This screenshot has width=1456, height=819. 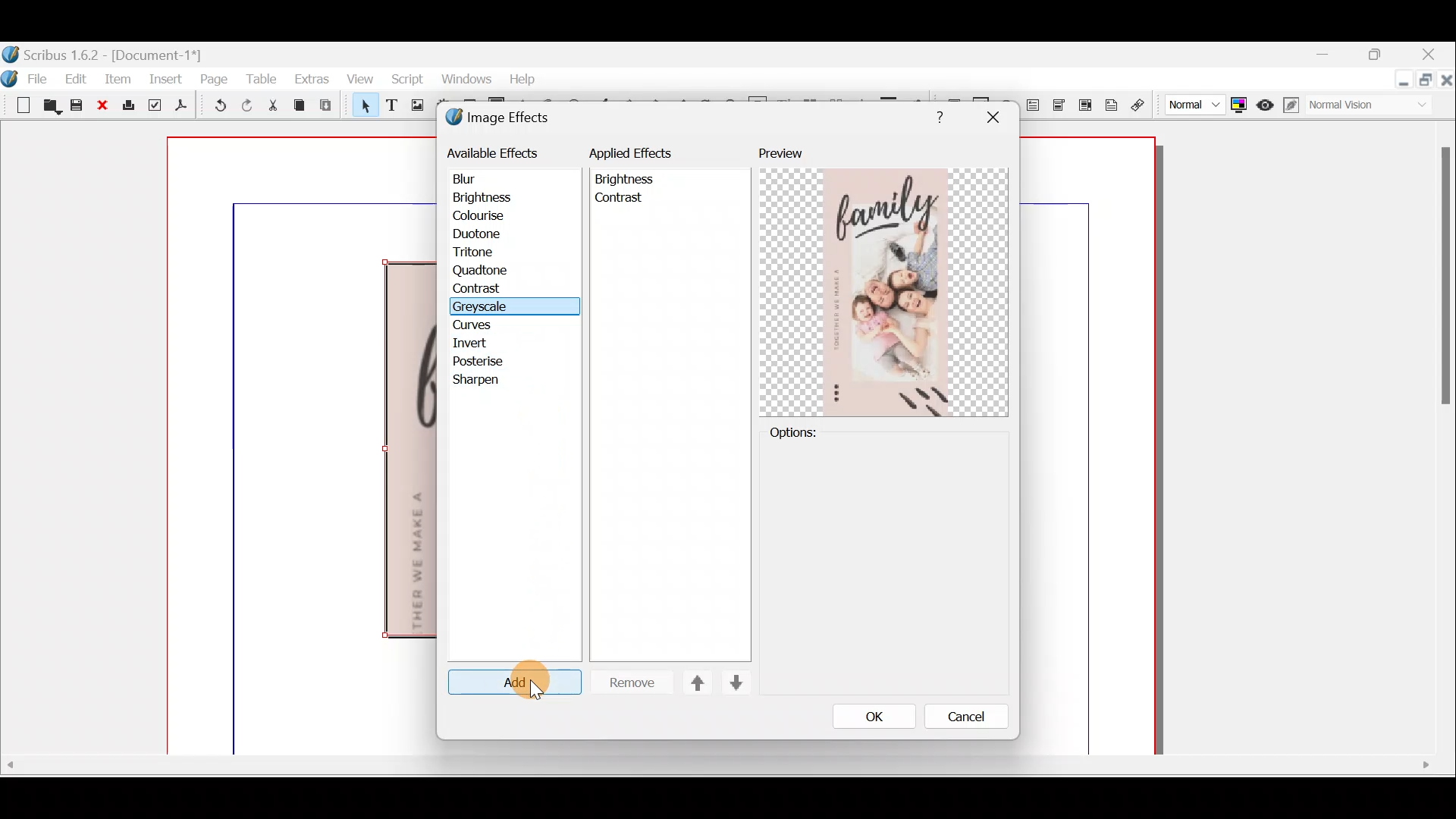 What do you see at coordinates (482, 362) in the screenshot?
I see `posterise` at bounding box center [482, 362].